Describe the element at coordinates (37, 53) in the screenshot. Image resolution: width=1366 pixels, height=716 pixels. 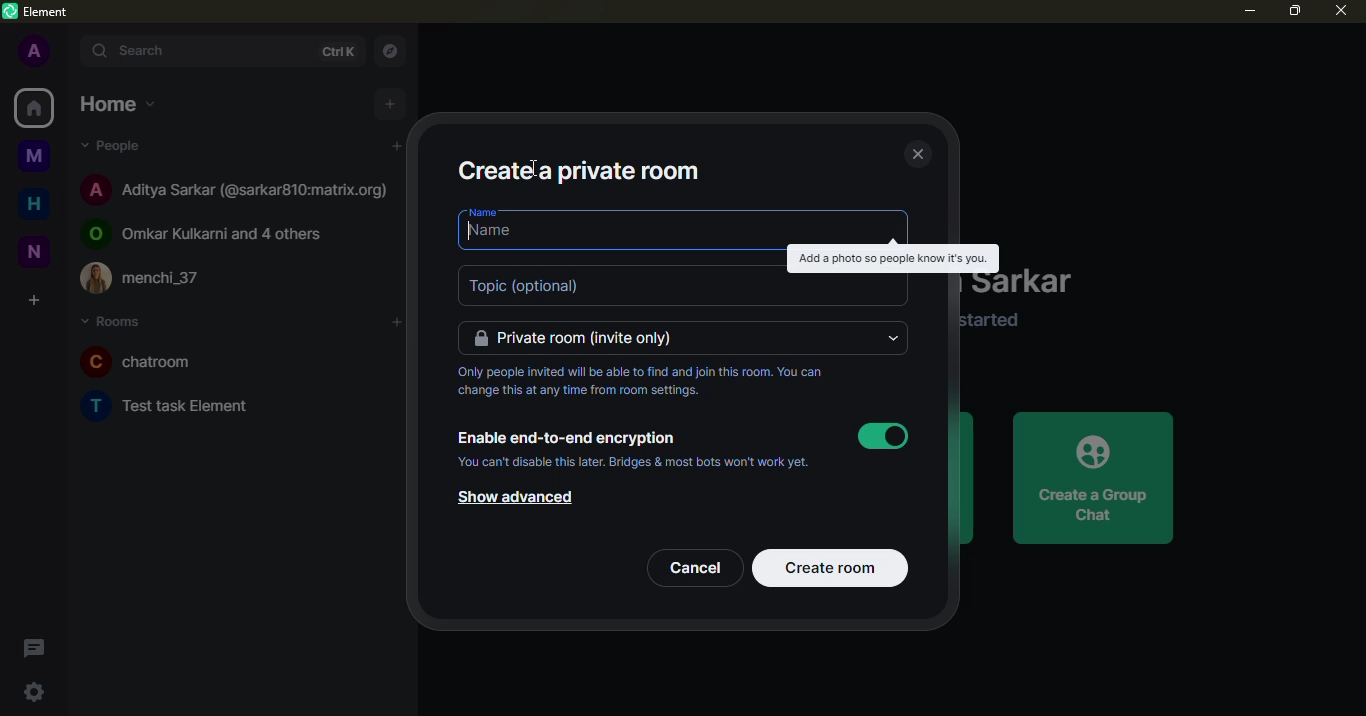
I see `profile` at that location.